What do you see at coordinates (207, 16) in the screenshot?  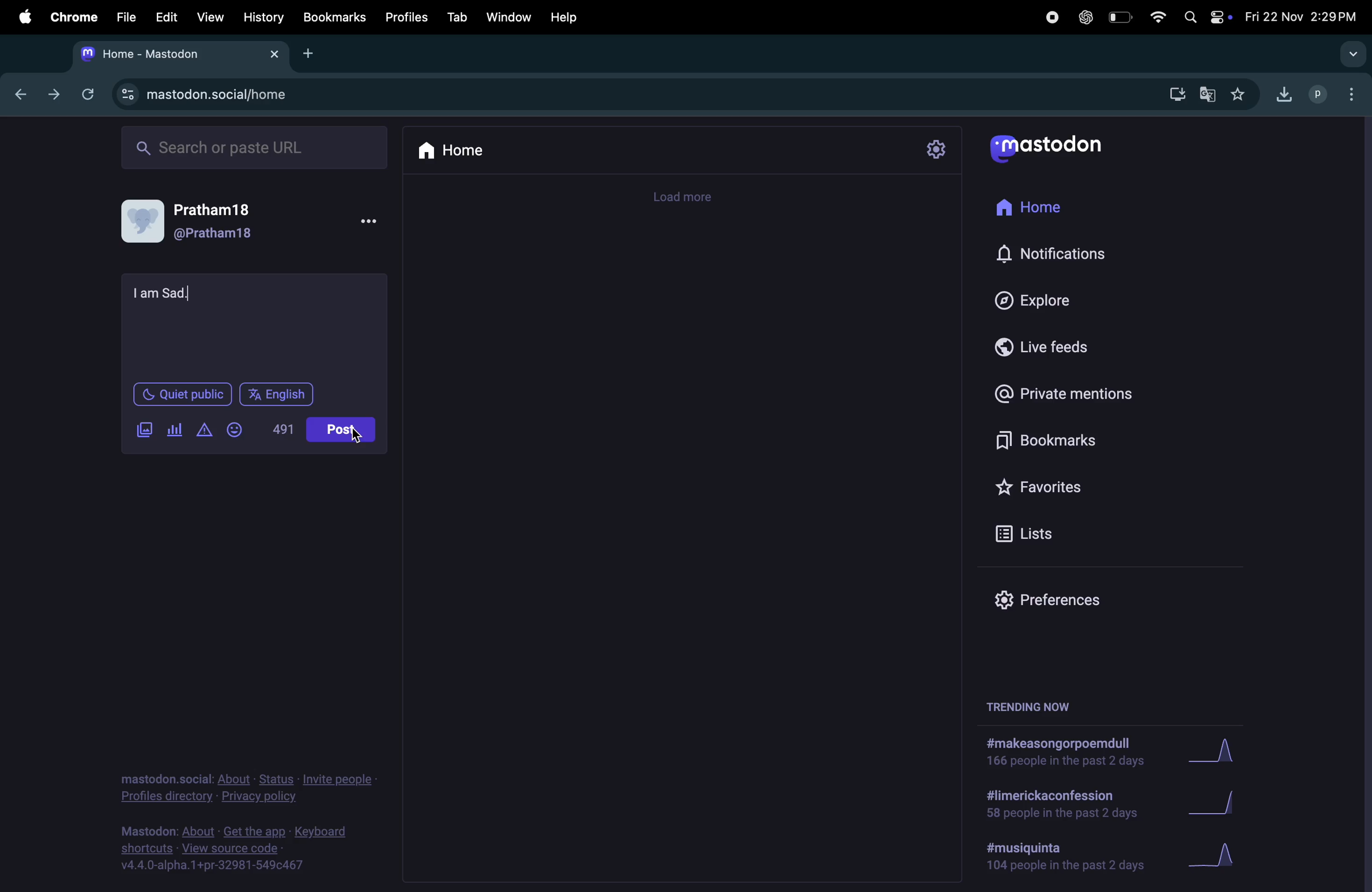 I see `view` at bounding box center [207, 16].